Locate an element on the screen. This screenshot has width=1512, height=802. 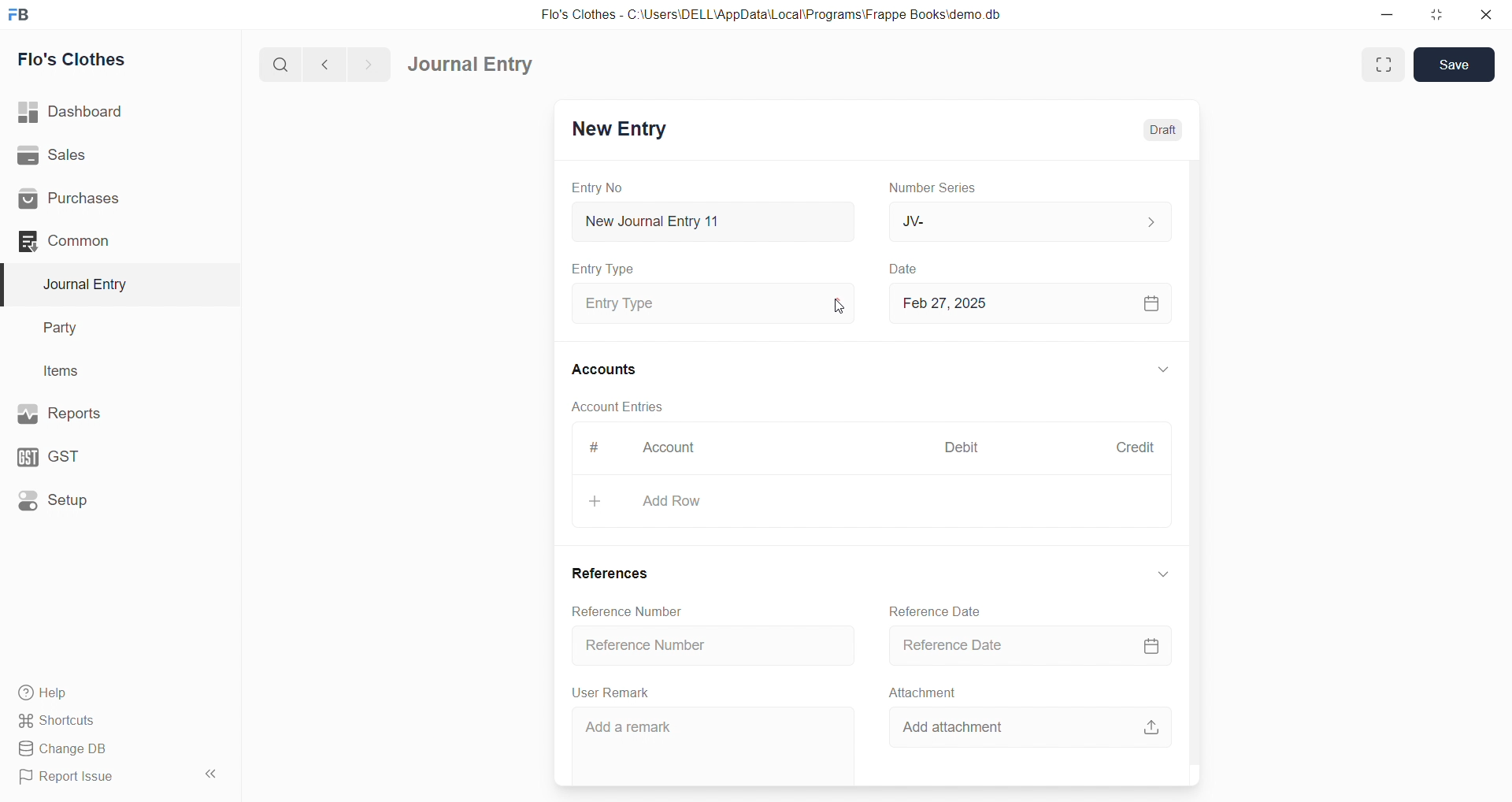
Shortcuts is located at coordinates (95, 722).